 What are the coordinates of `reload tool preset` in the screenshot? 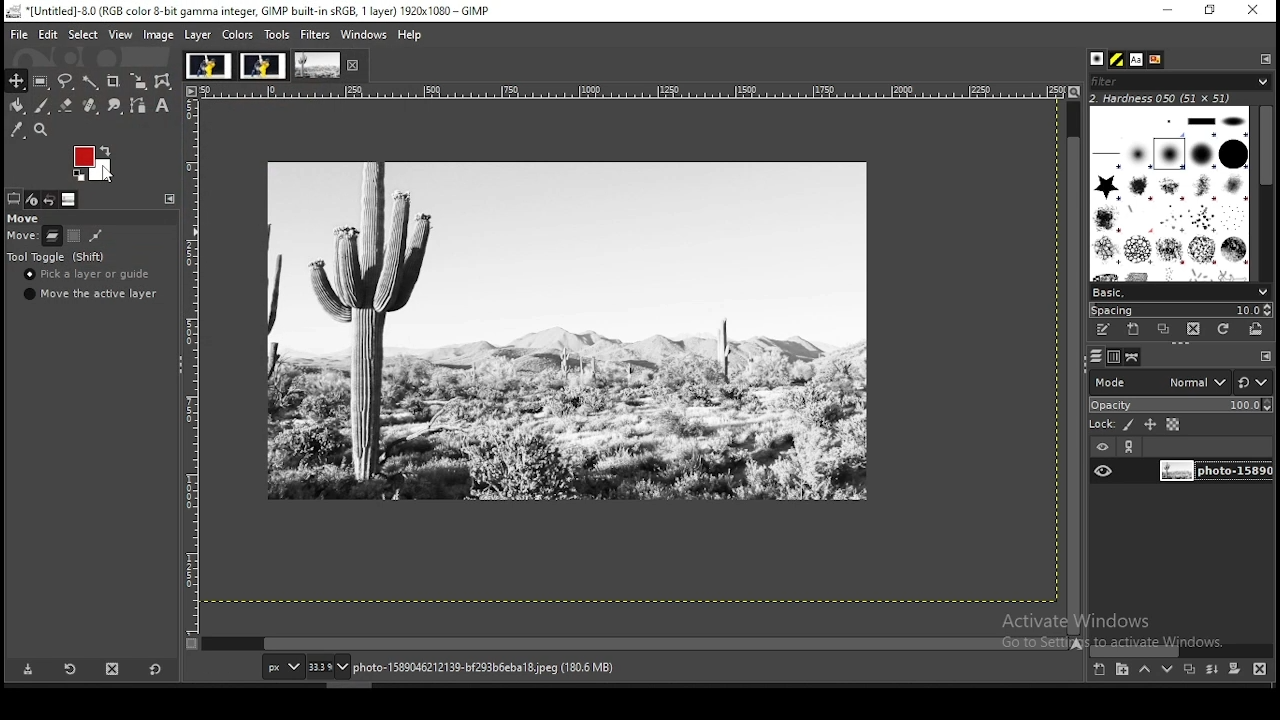 It's located at (72, 668).